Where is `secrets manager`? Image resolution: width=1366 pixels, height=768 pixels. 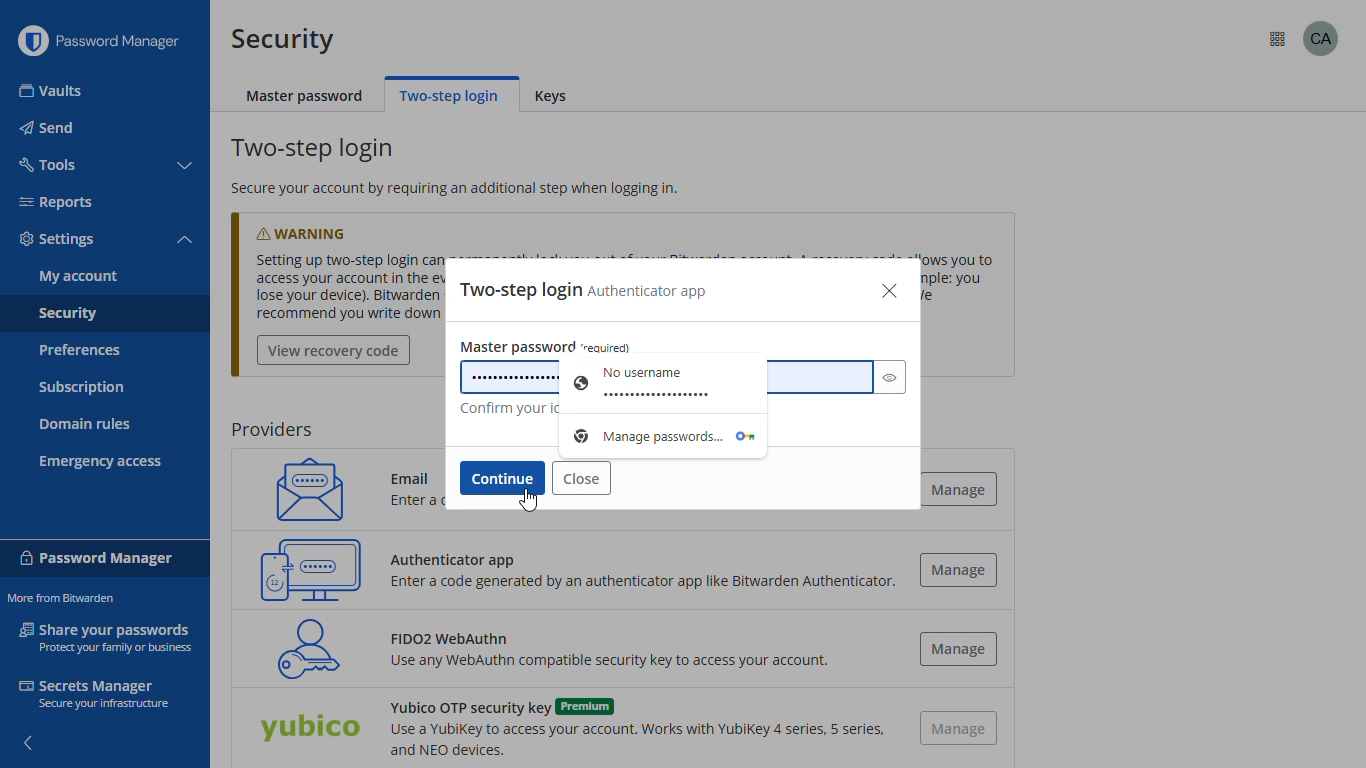
secrets manager is located at coordinates (93, 693).